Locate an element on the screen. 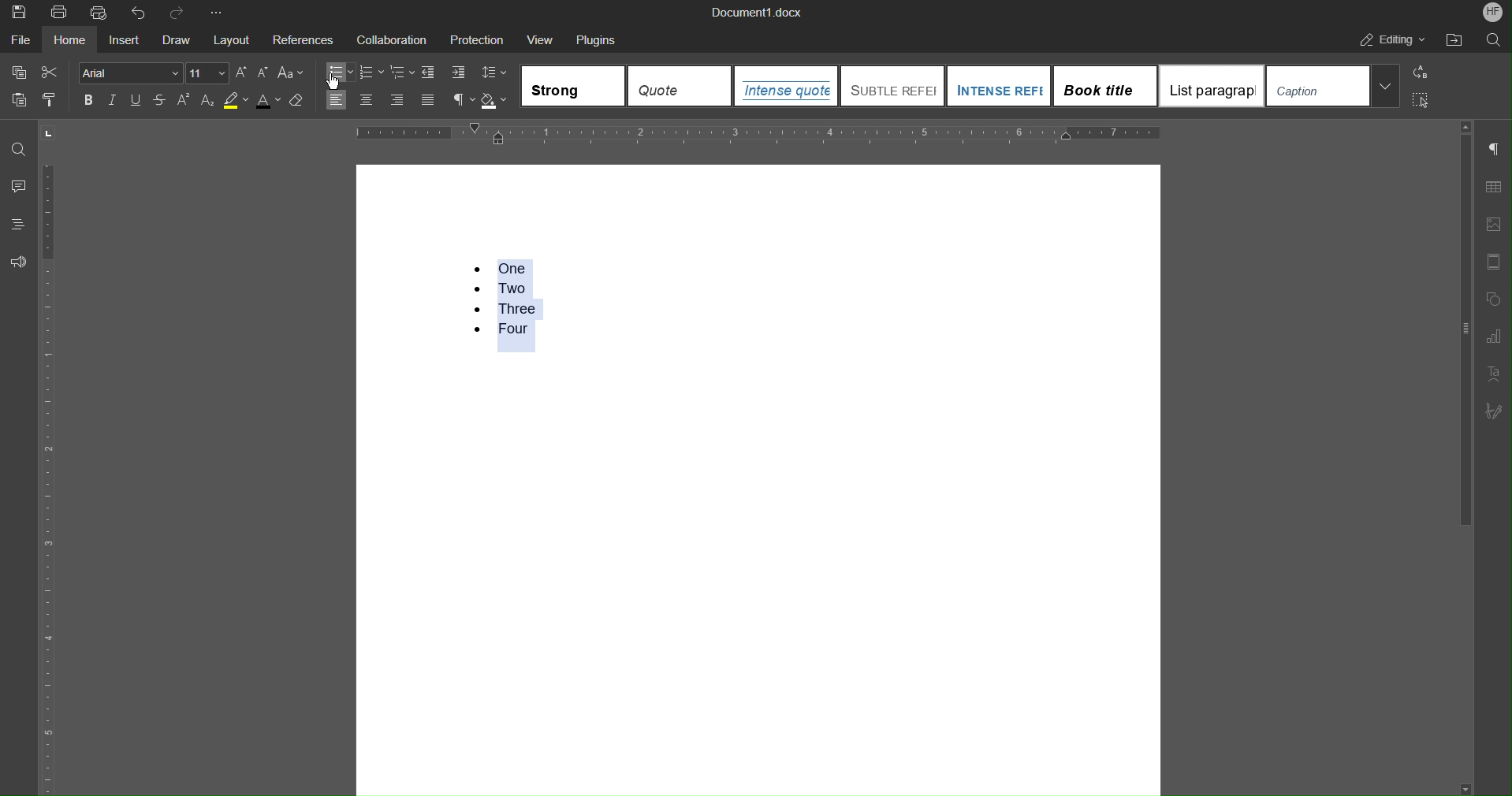  Undo is located at coordinates (139, 11).